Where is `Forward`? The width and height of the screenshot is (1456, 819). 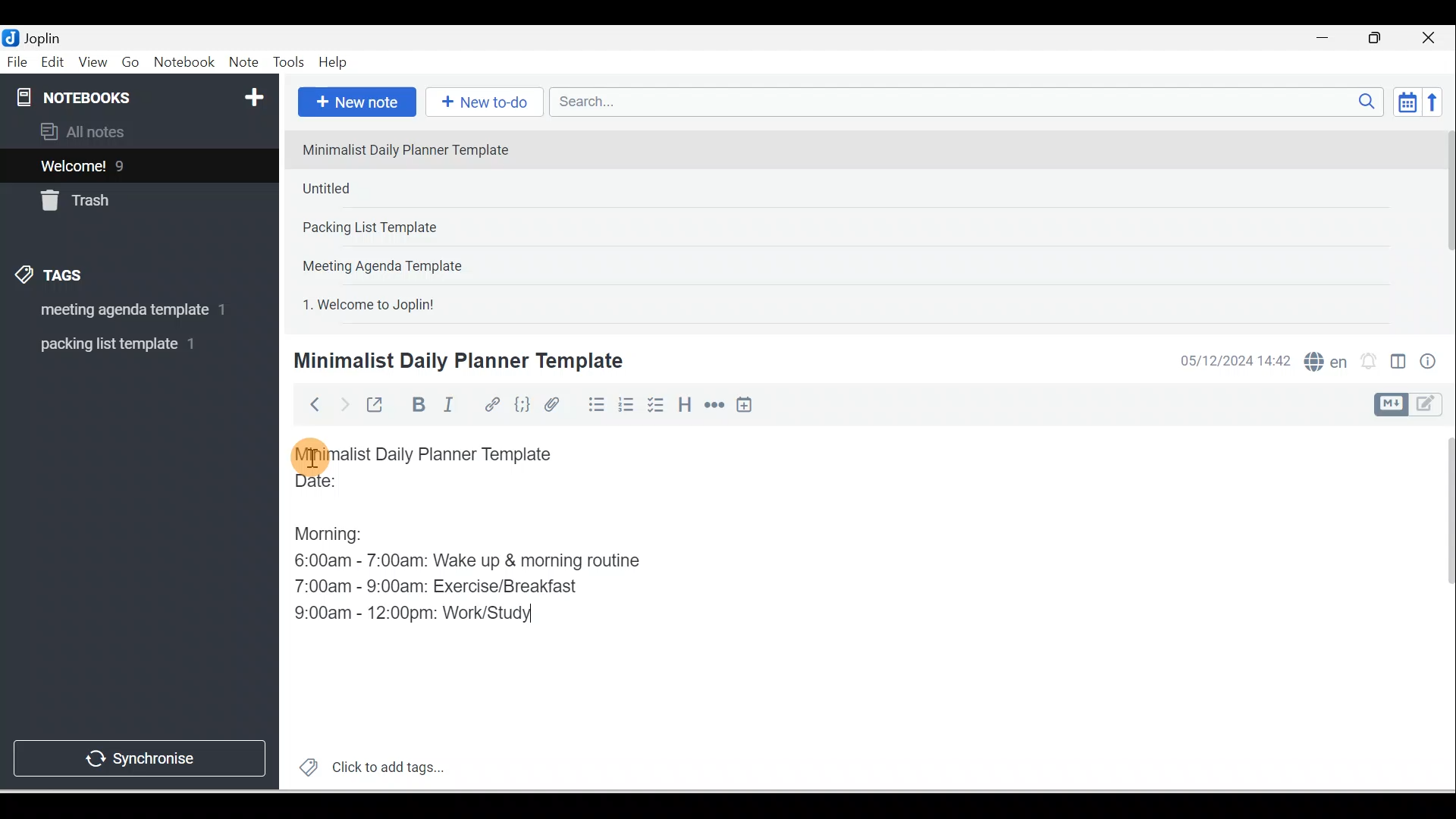 Forward is located at coordinates (343, 403).